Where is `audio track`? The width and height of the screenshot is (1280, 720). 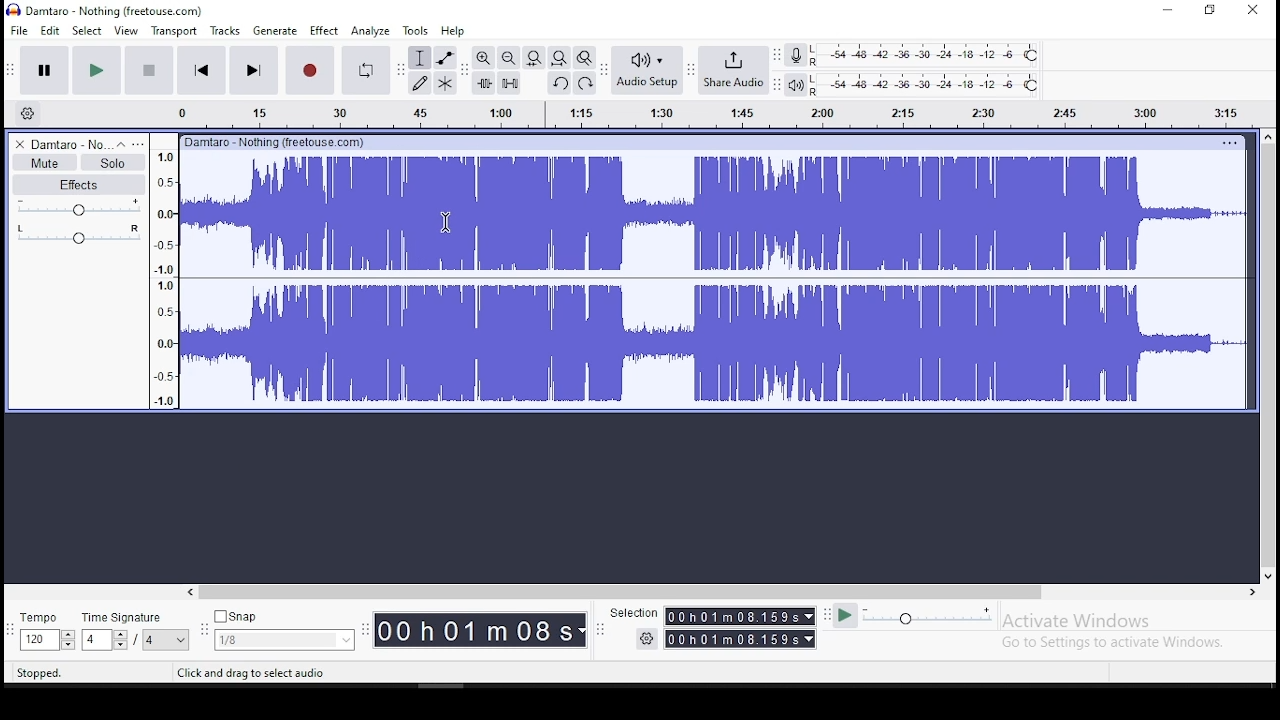 audio track is located at coordinates (713, 213).